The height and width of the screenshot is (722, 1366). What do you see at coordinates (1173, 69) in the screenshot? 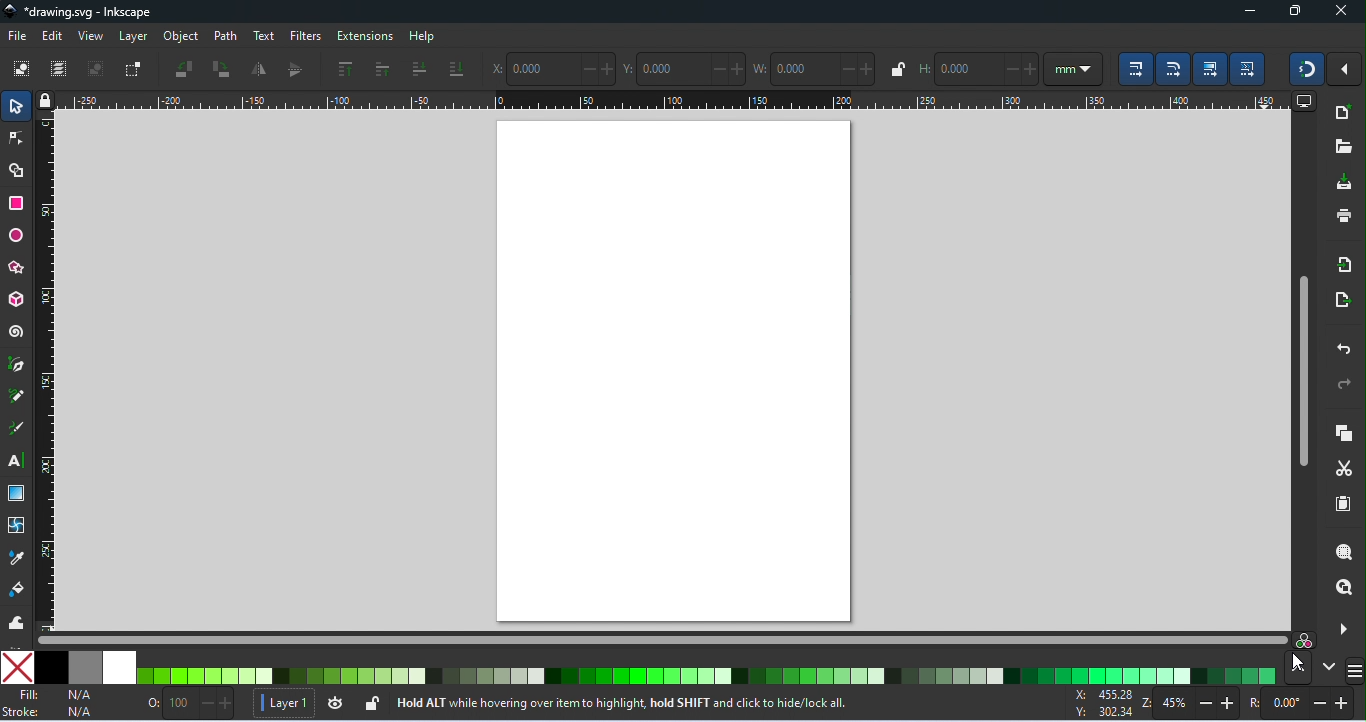
I see `scale radii` at bounding box center [1173, 69].